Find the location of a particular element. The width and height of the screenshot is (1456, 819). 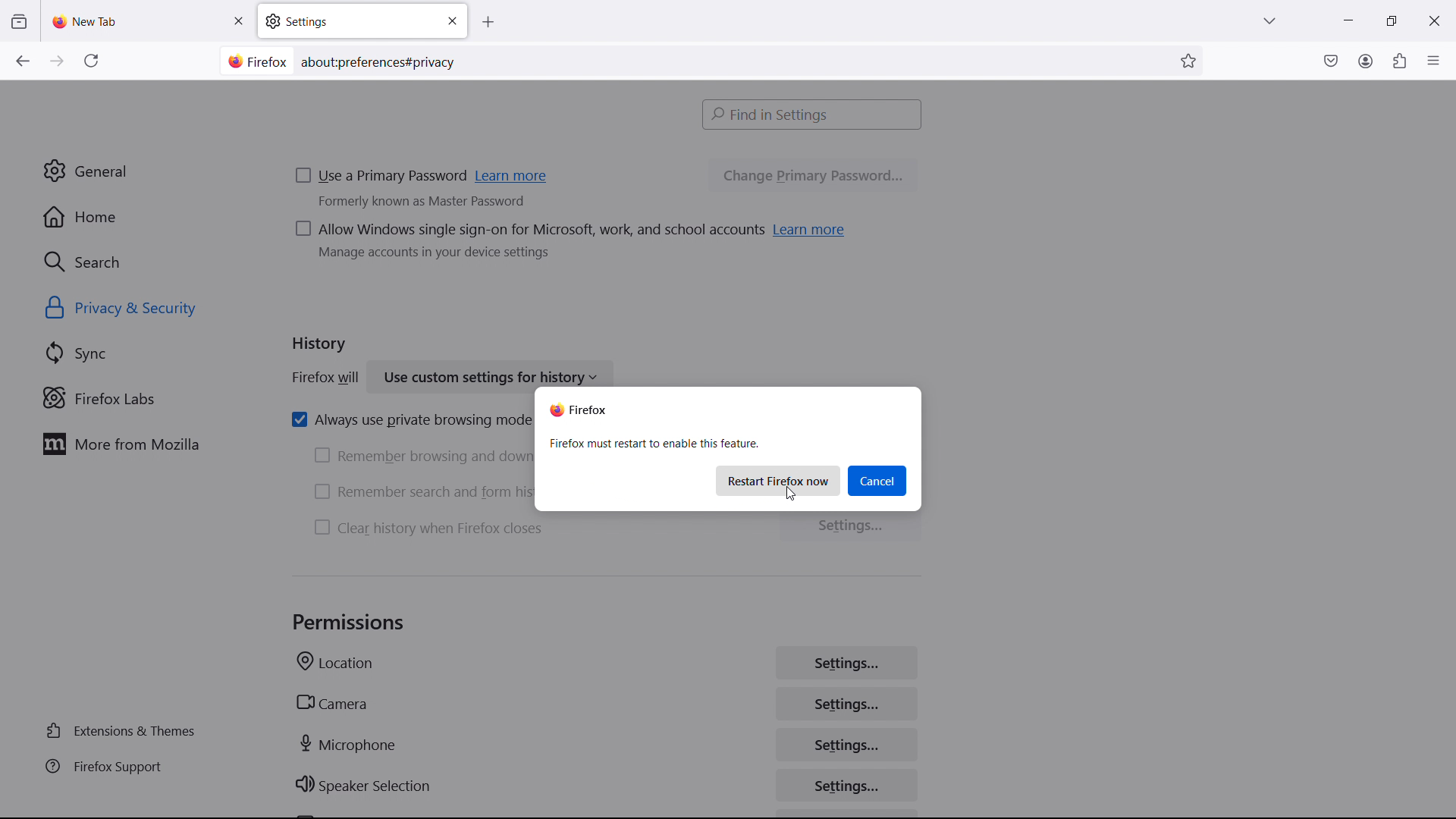

list all tabs is located at coordinates (1269, 19).